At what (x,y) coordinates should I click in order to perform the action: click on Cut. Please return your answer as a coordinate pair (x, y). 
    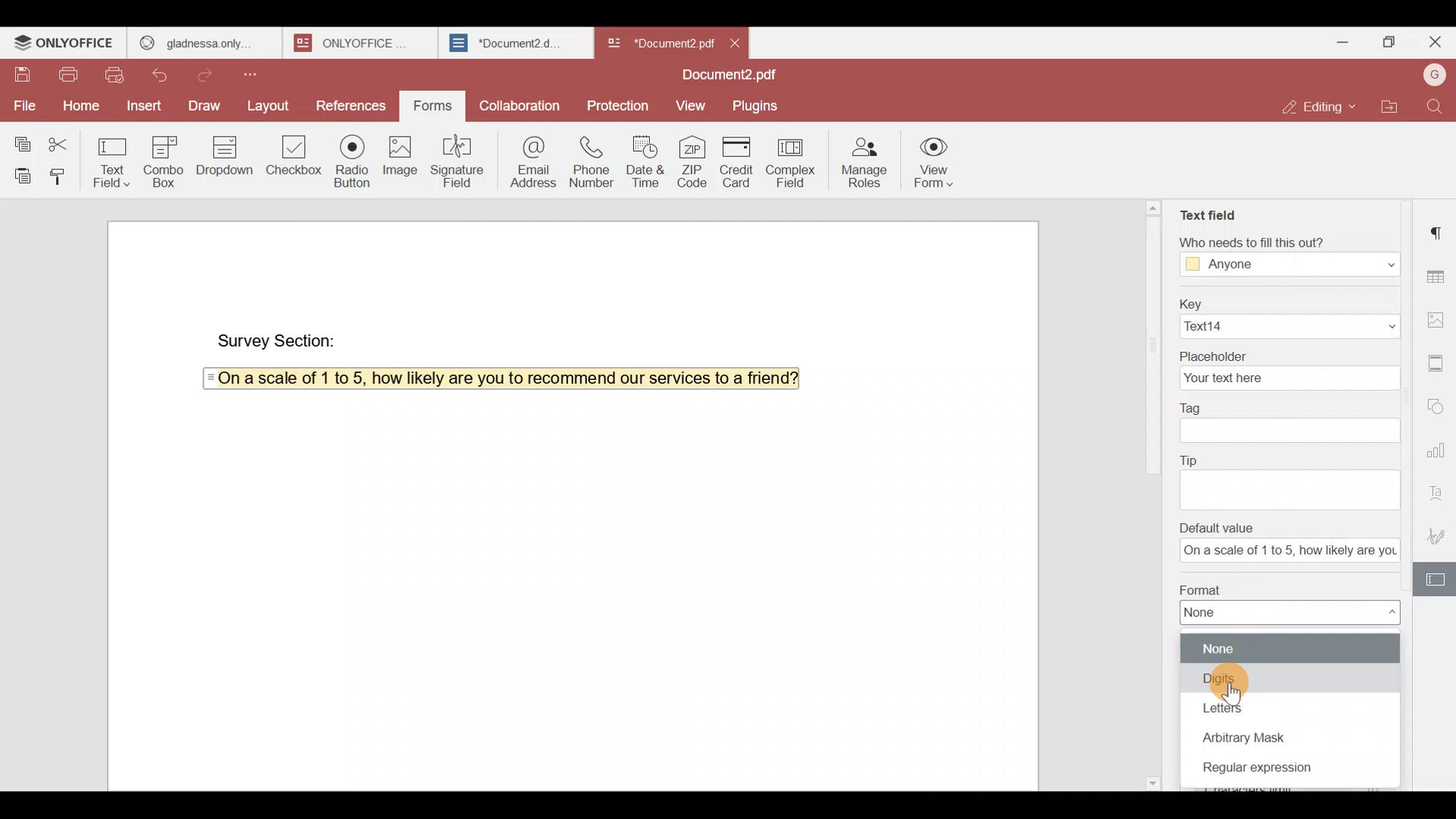
    Looking at the image, I should click on (64, 140).